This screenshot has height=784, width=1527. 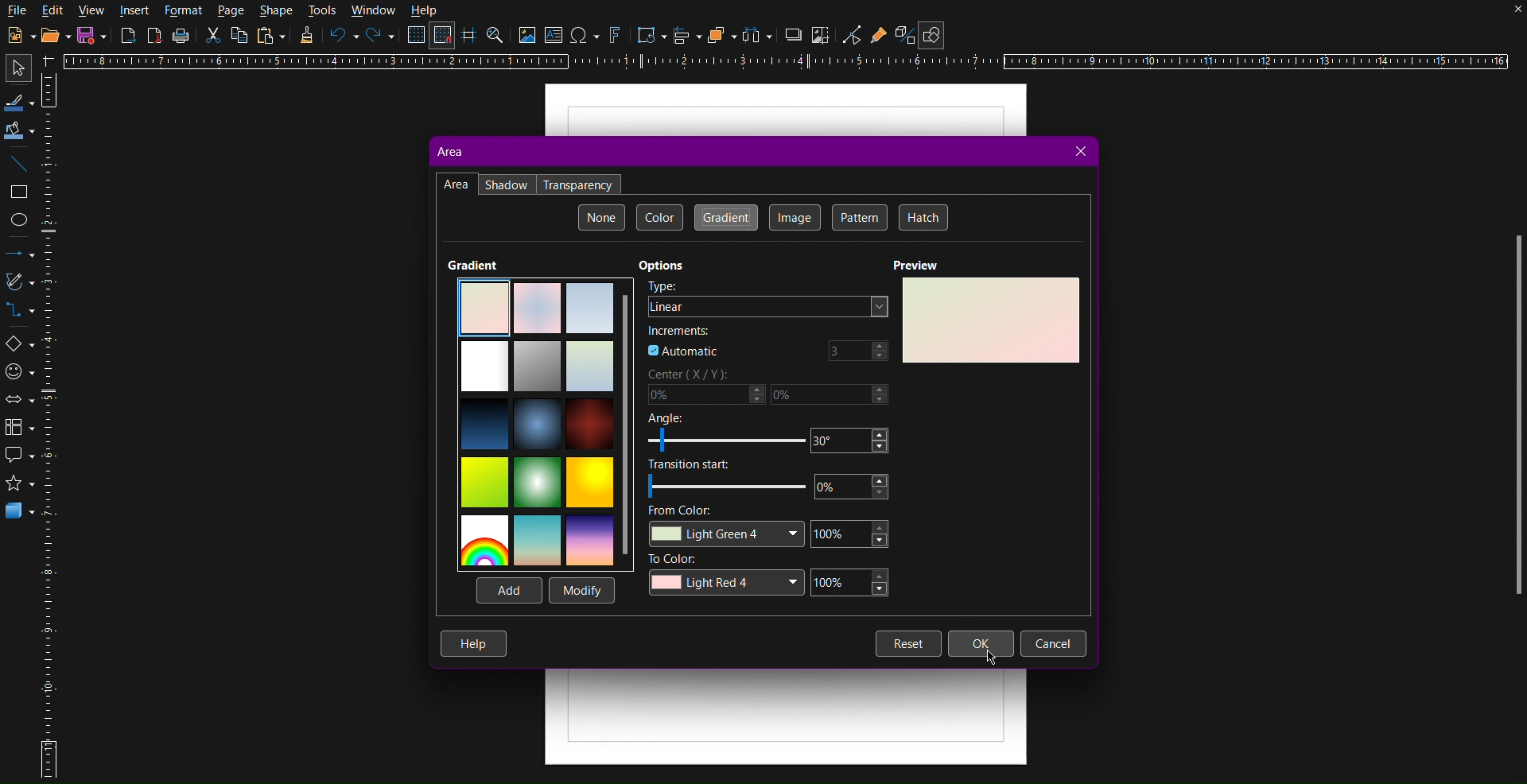 What do you see at coordinates (585, 592) in the screenshot?
I see `Modify` at bounding box center [585, 592].